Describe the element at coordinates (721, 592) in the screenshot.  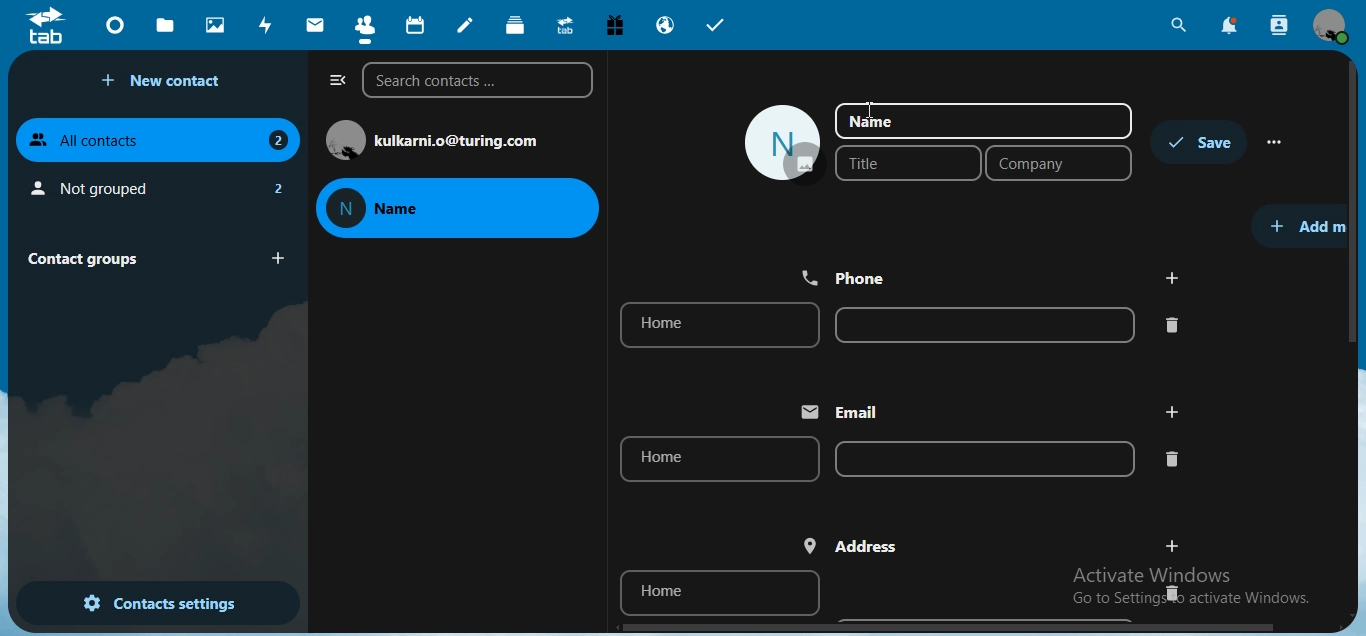
I see `home` at that location.